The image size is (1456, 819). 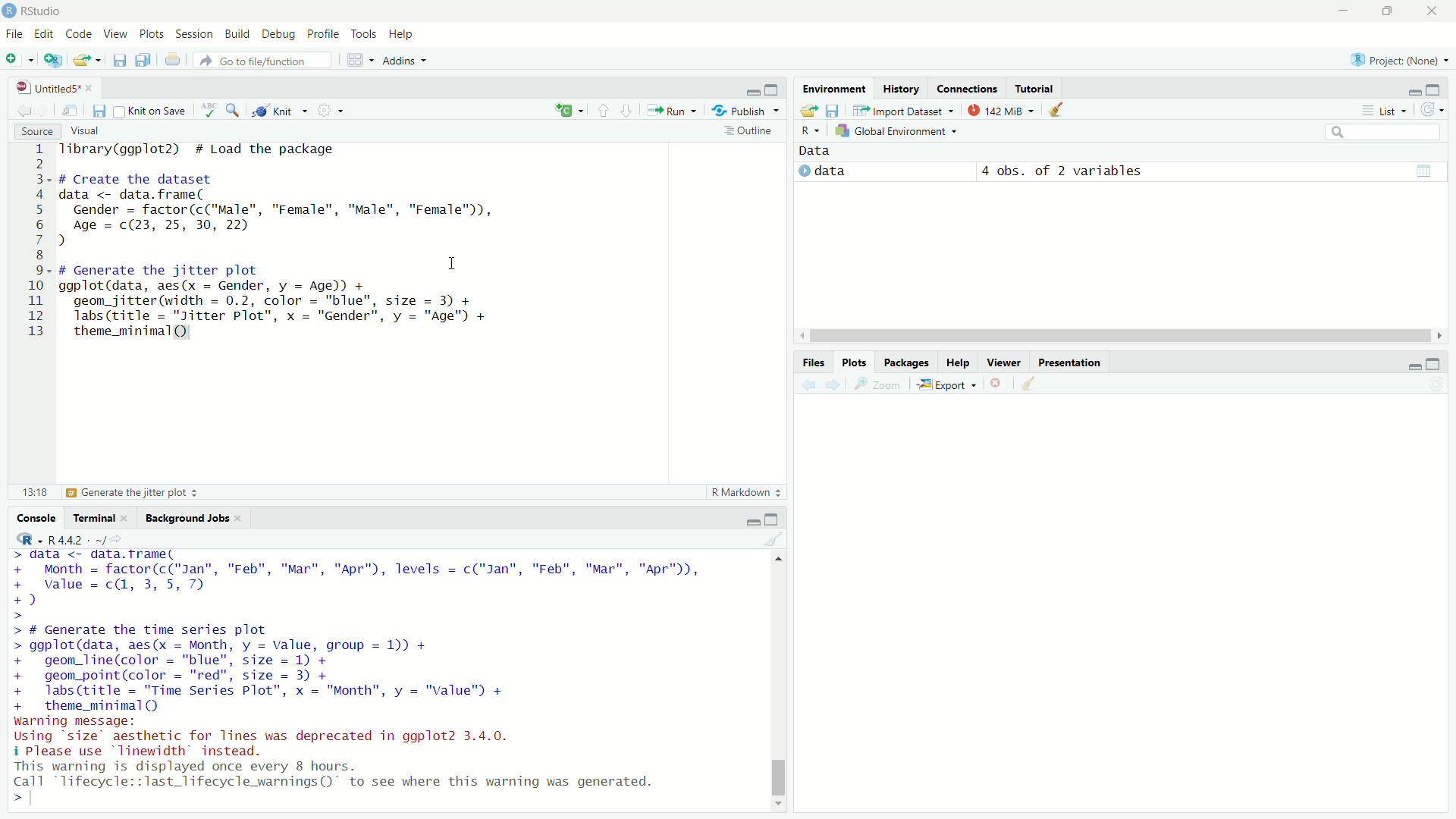 What do you see at coordinates (153, 110) in the screenshot?
I see `knit on save` at bounding box center [153, 110].